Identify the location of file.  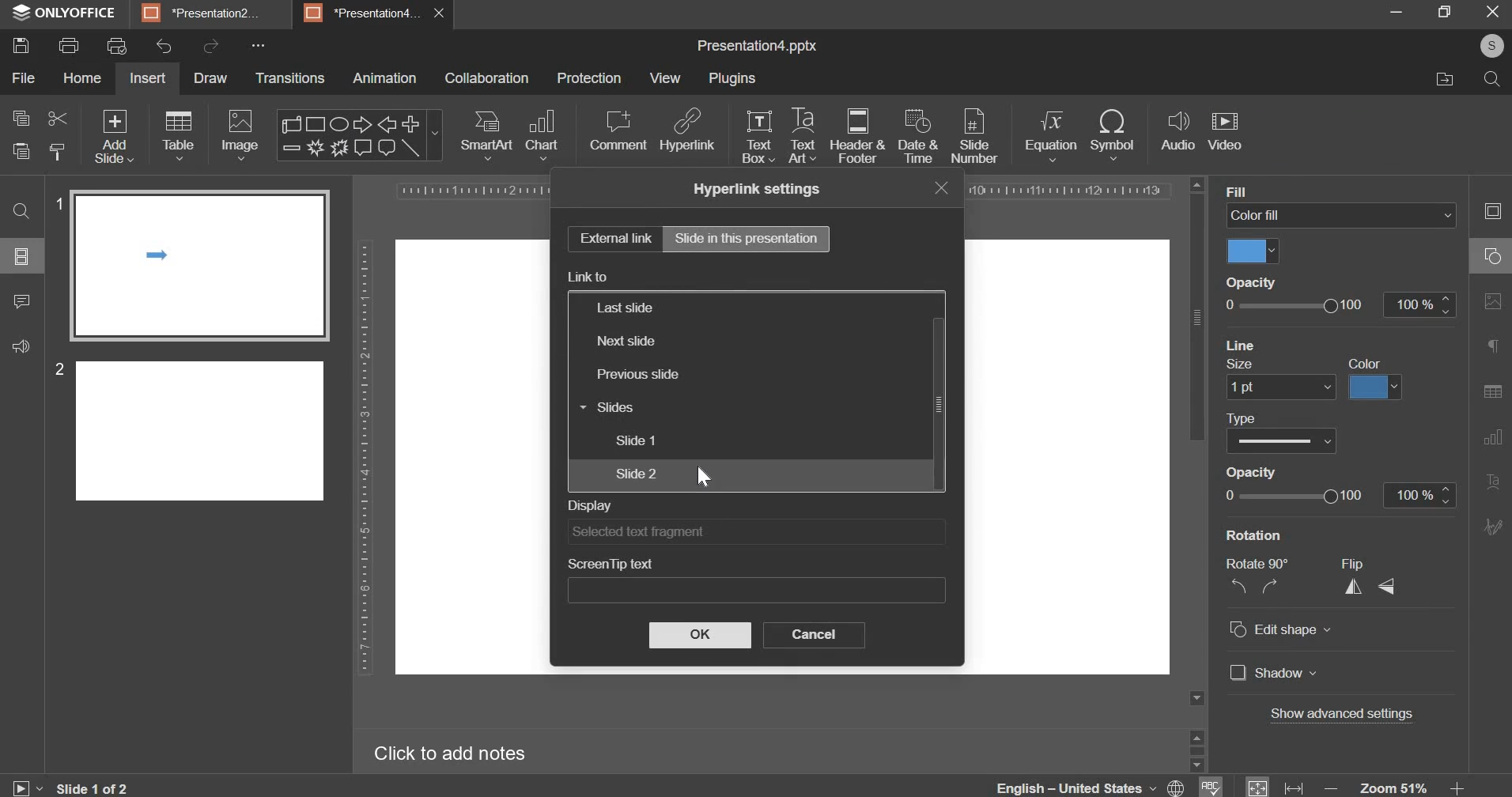
(25, 78).